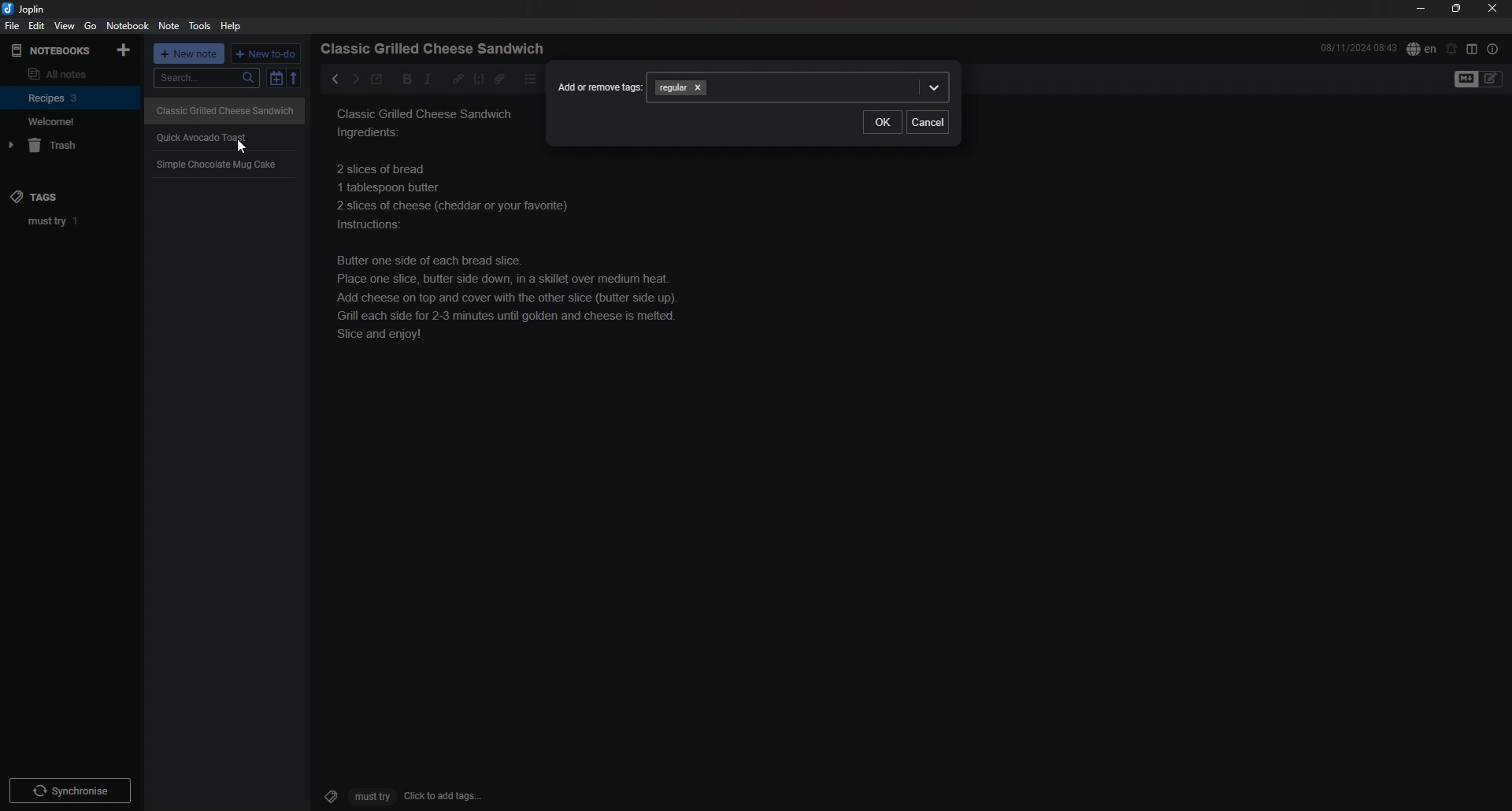  What do you see at coordinates (513, 251) in the screenshot?
I see `Butter one side of each bread sce.
Place one slice, butter side down, in a skillet over medium heat.
Add cheese on top and cover with the other slice (butter side up).
Grill each side for 2-3 minutes until golden and cheese is melted.
Slice and enjoy!` at bounding box center [513, 251].